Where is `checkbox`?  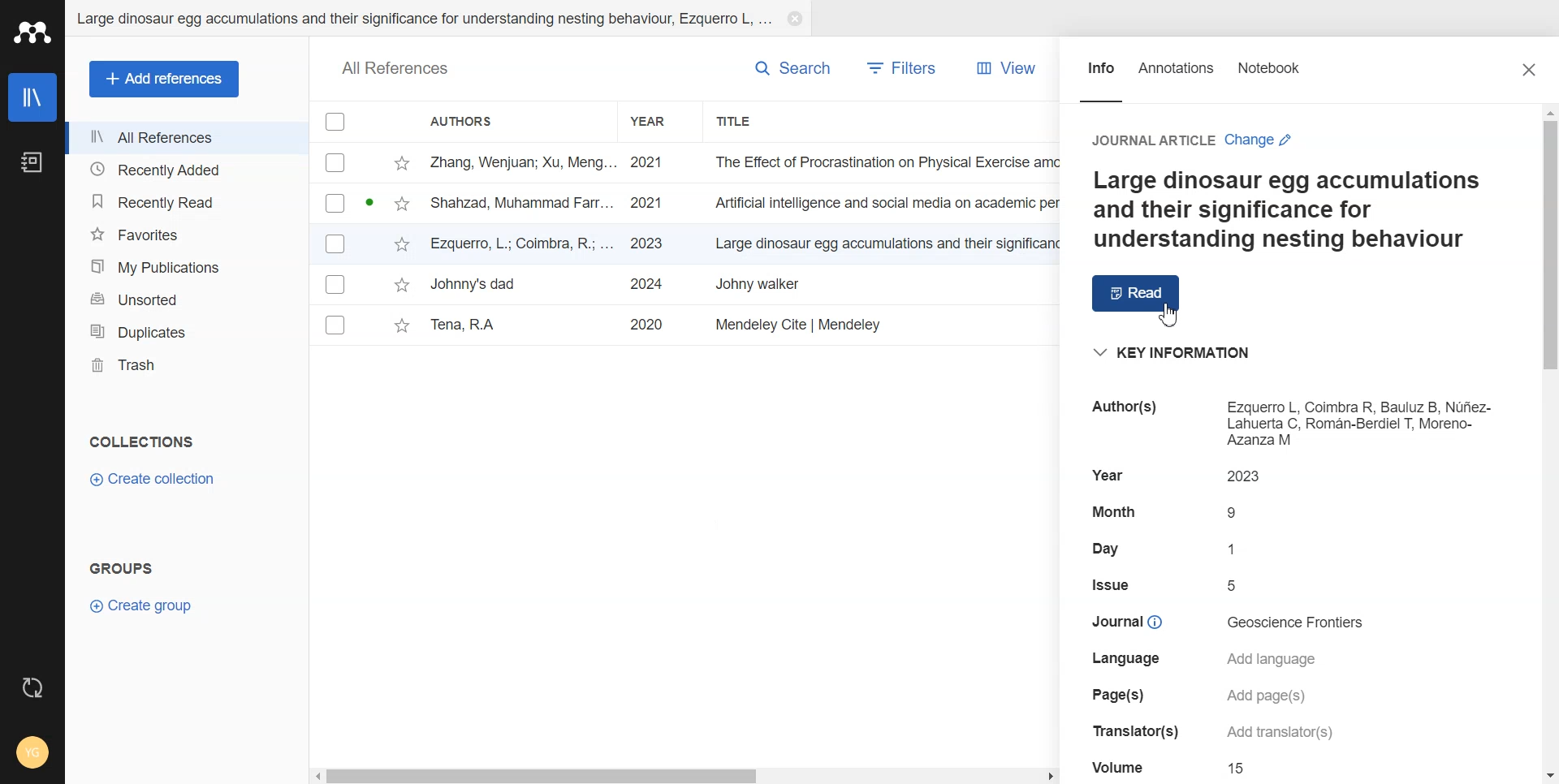 checkbox is located at coordinates (335, 243).